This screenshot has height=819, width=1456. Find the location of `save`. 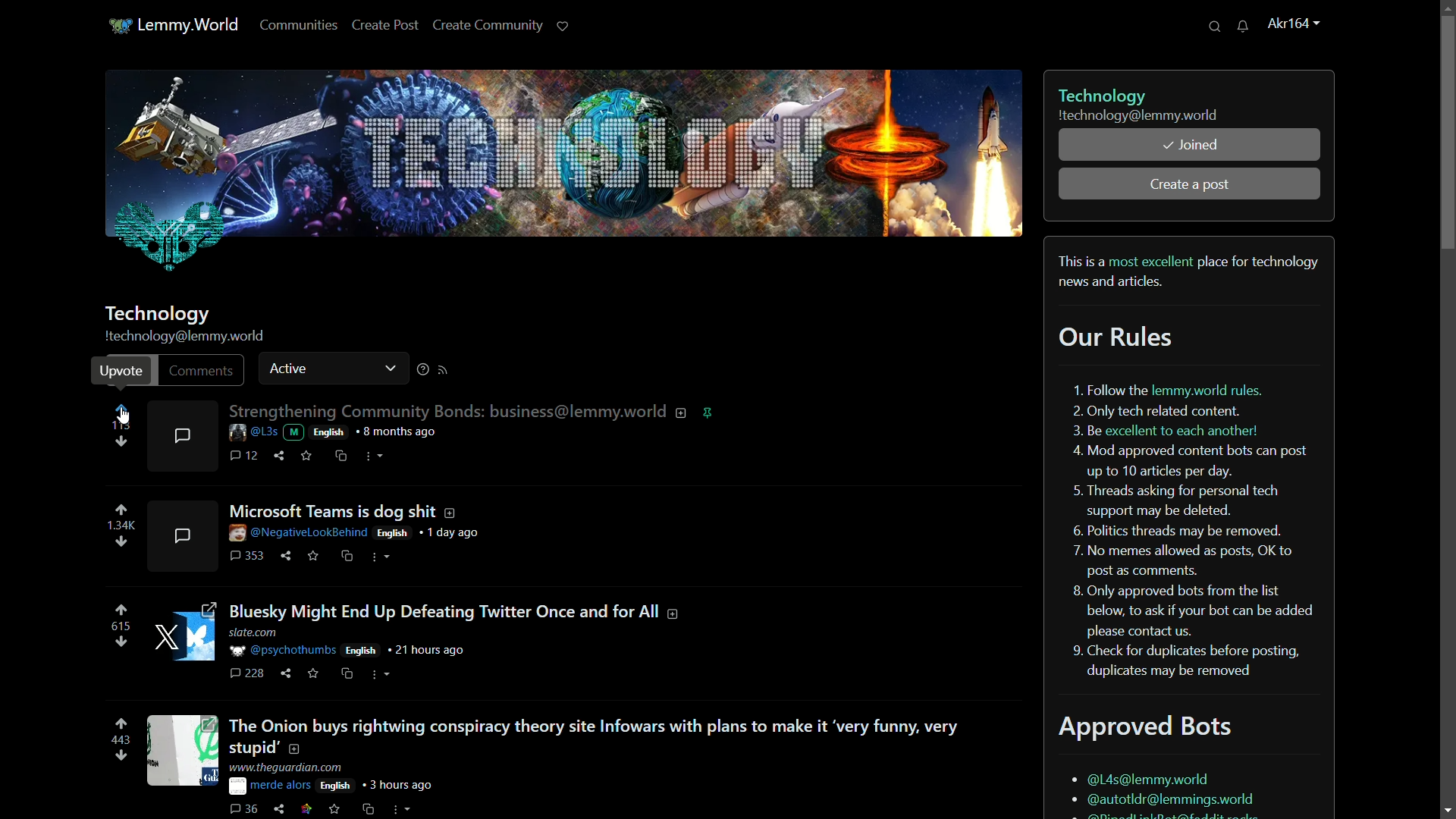

save is located at coordinates (309, 455).